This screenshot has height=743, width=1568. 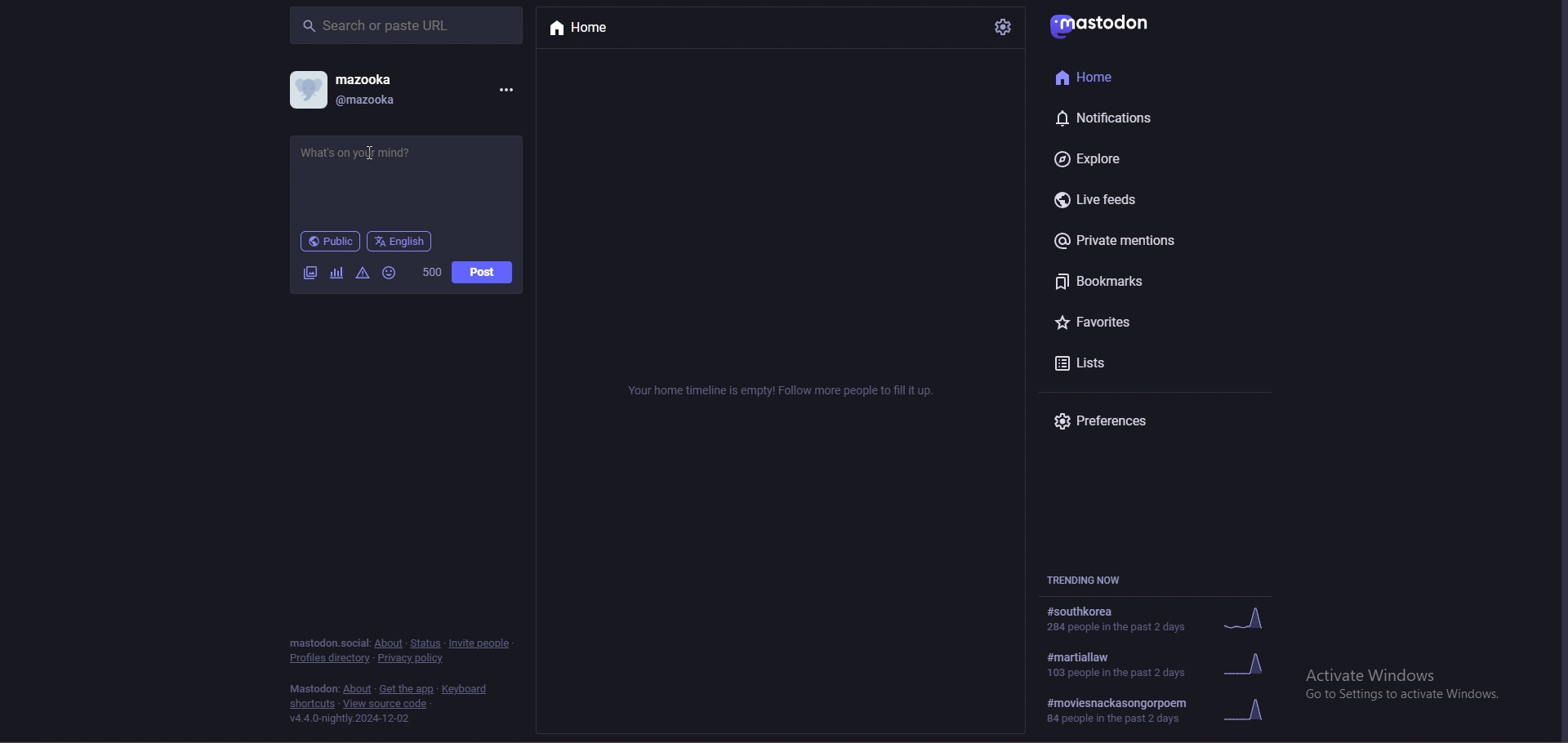 I want to click on mastodon, so click(x=1107, y=25).